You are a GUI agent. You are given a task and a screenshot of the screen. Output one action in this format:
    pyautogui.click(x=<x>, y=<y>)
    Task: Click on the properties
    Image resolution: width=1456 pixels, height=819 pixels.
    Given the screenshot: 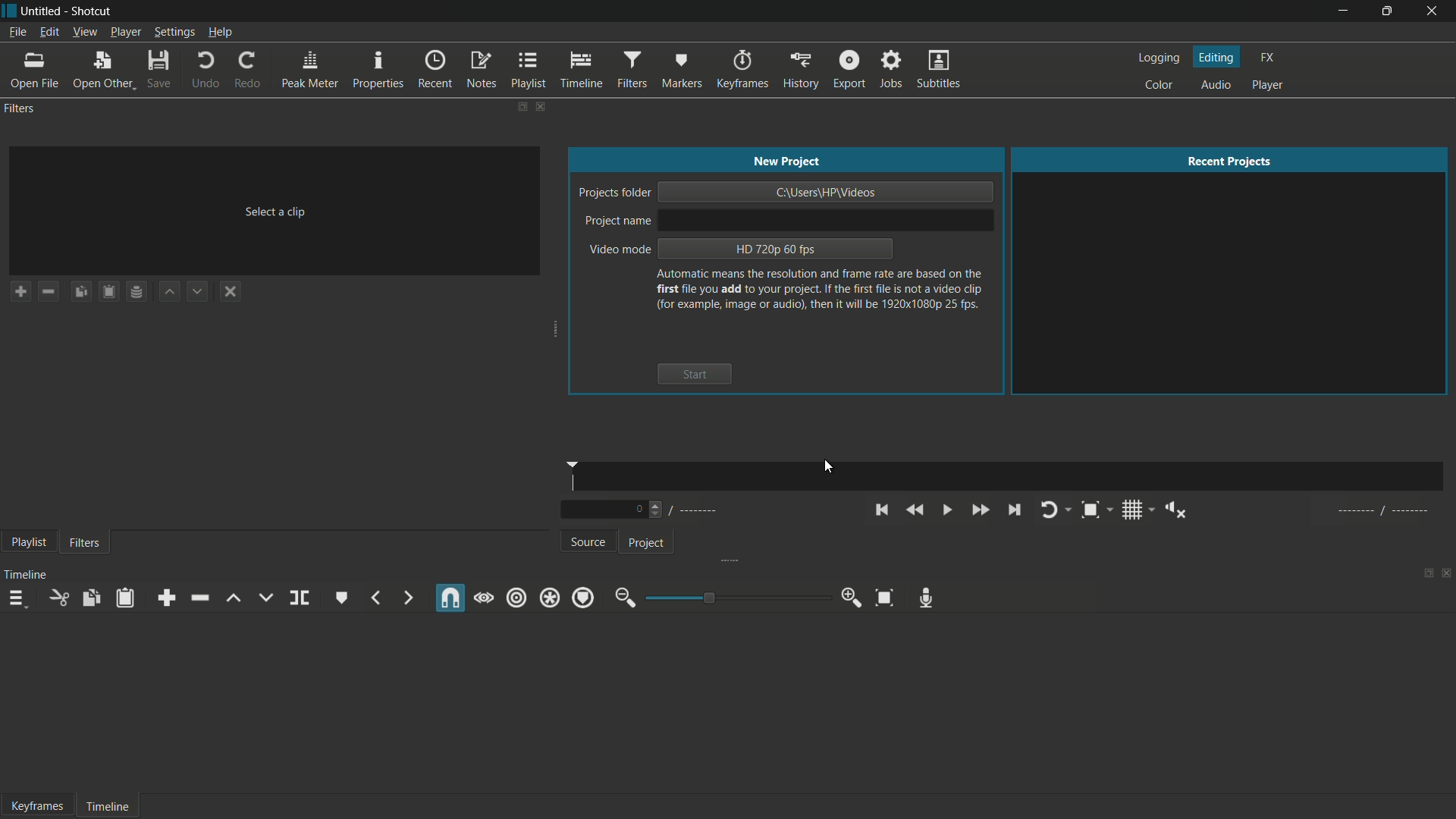 What is the action you would take?
    pyautogui.click(x=379, y=71)
    